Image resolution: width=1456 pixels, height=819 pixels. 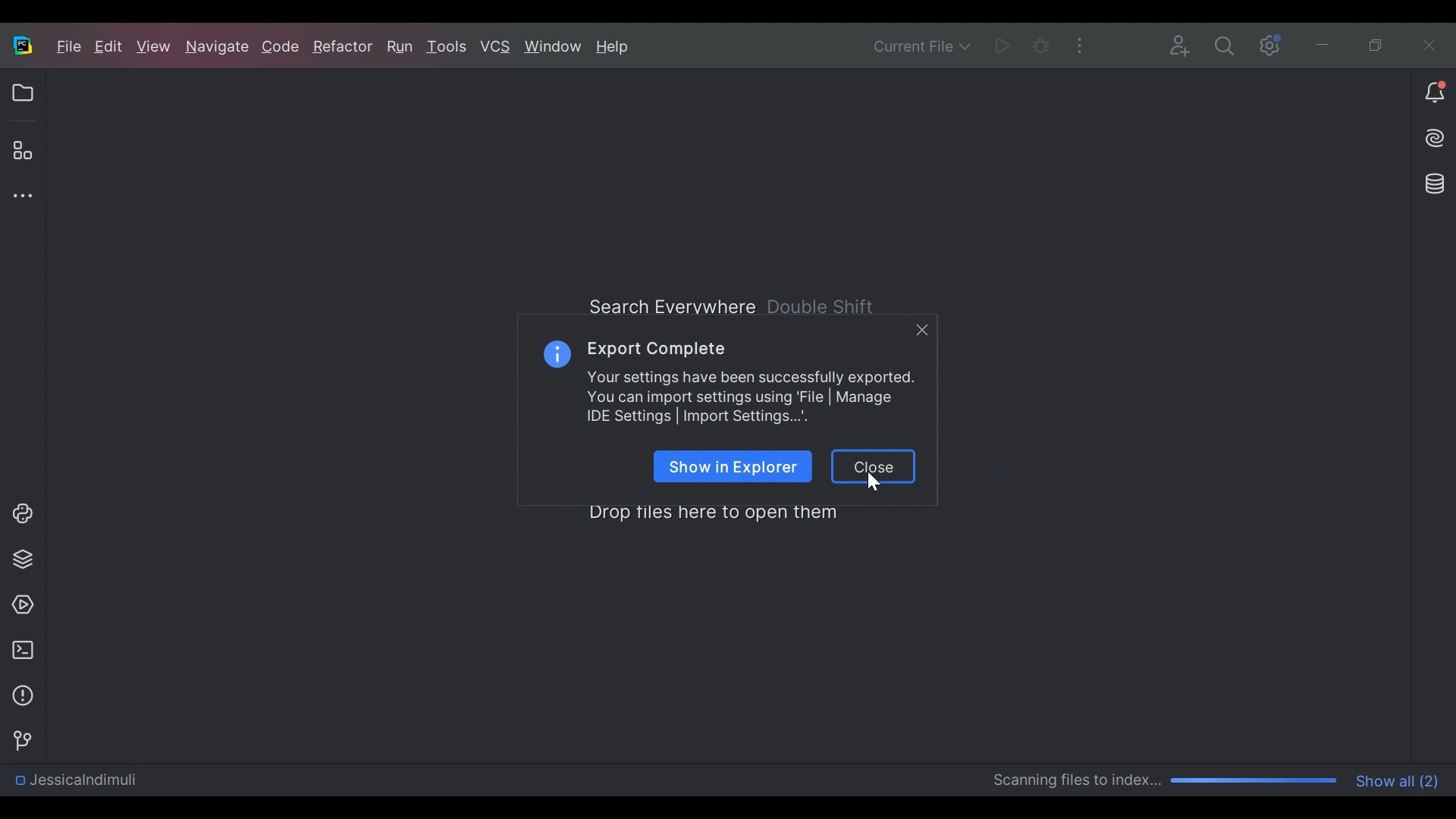 What do you see at coordinates (1166, 781) in the screenshot?
I see `Scanning Progress` at bounding box center [1166, 781].